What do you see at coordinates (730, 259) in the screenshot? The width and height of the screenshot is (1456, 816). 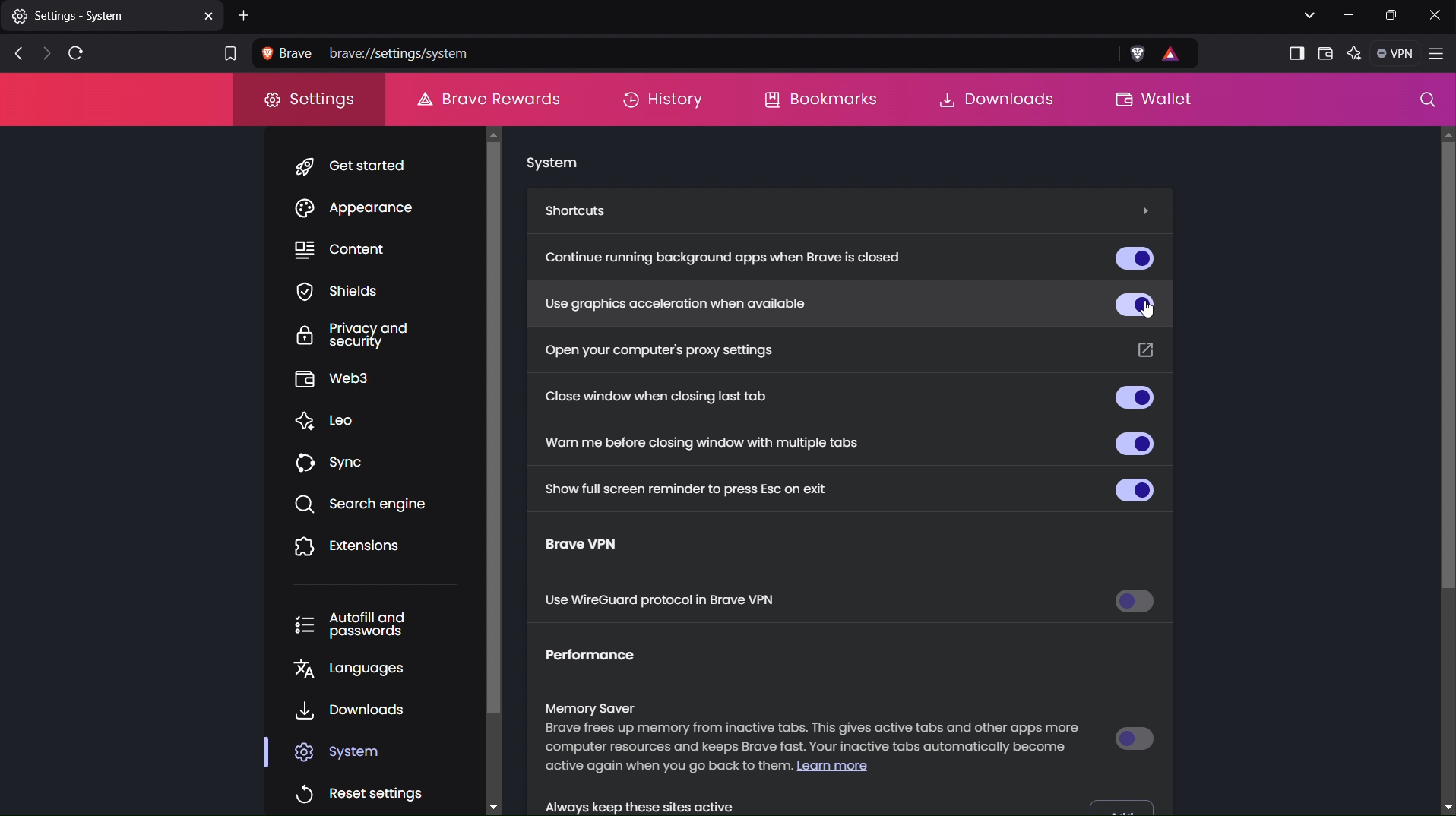 I see `Continue running background apps when Brave is closed` at bounding box center [730, 259].